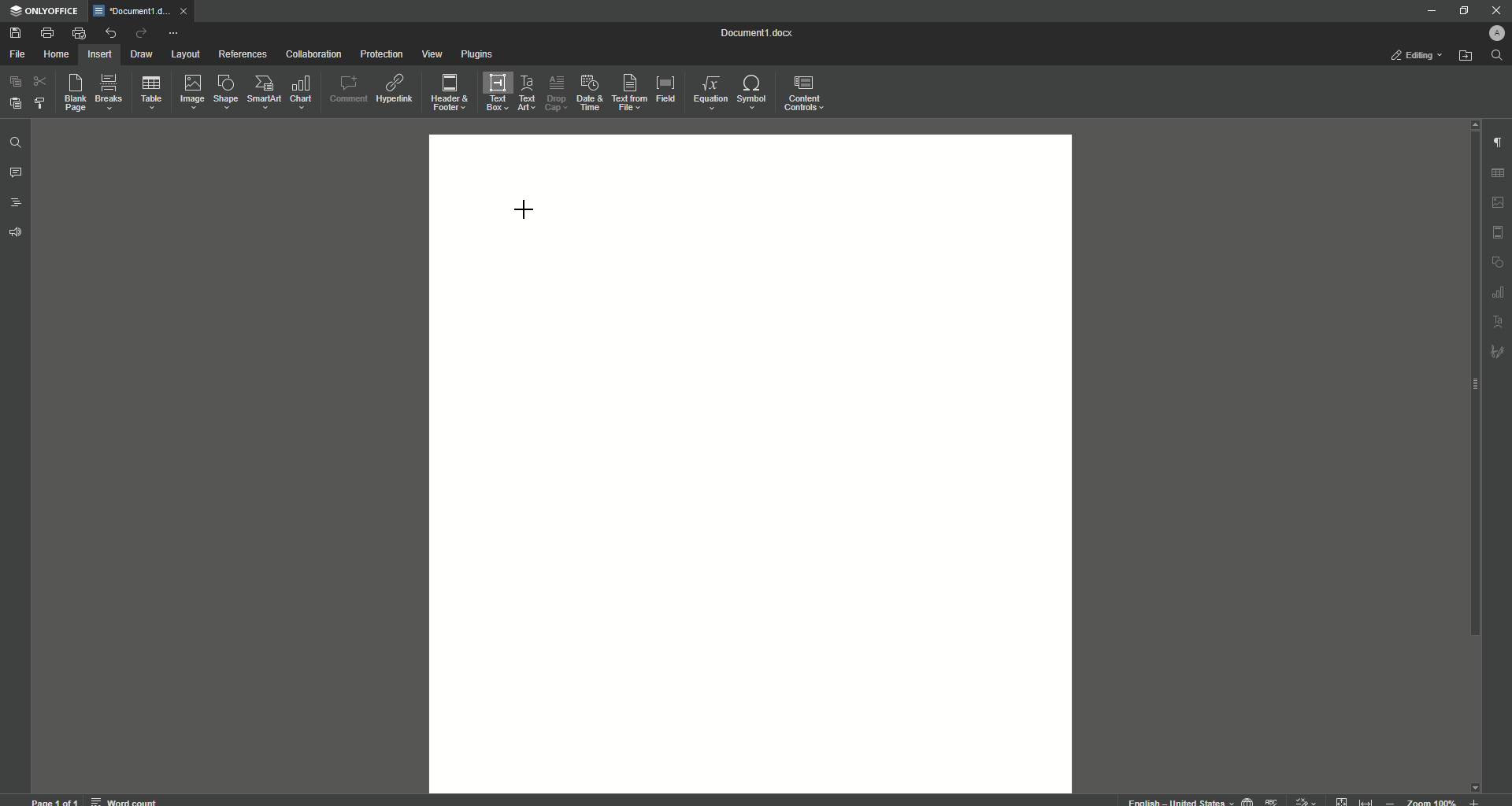  What do you see at coordinates (1343, 800) in the screenshot?
I see `fit to page` at bounding box center [1343, 800].